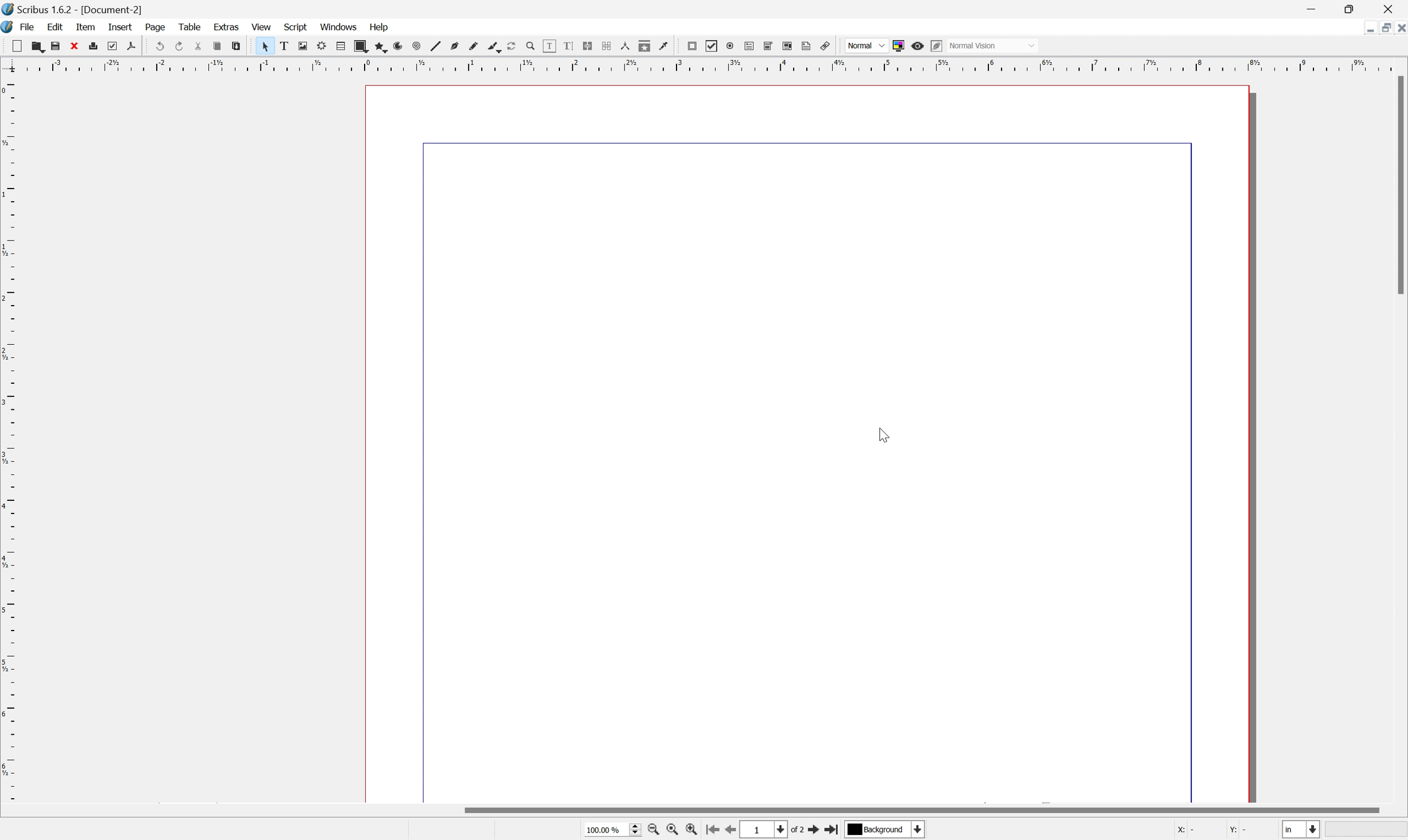 Image resolution: width=1408 pixels, height=840 pixels. Describe the element at coordinates (1399, 292) in the screenshot. I see `Scroll bar` at that location.